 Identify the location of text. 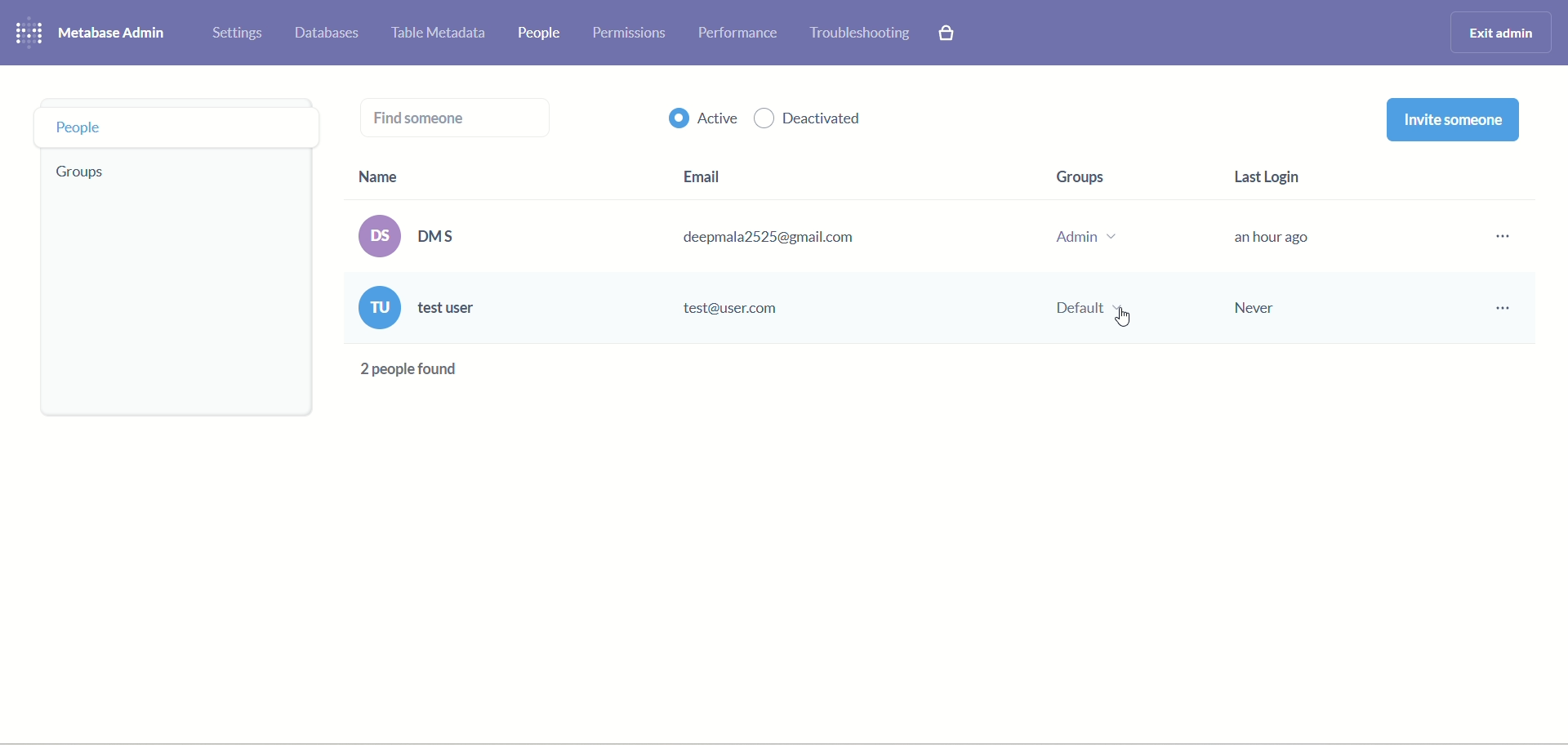
(418, 376).